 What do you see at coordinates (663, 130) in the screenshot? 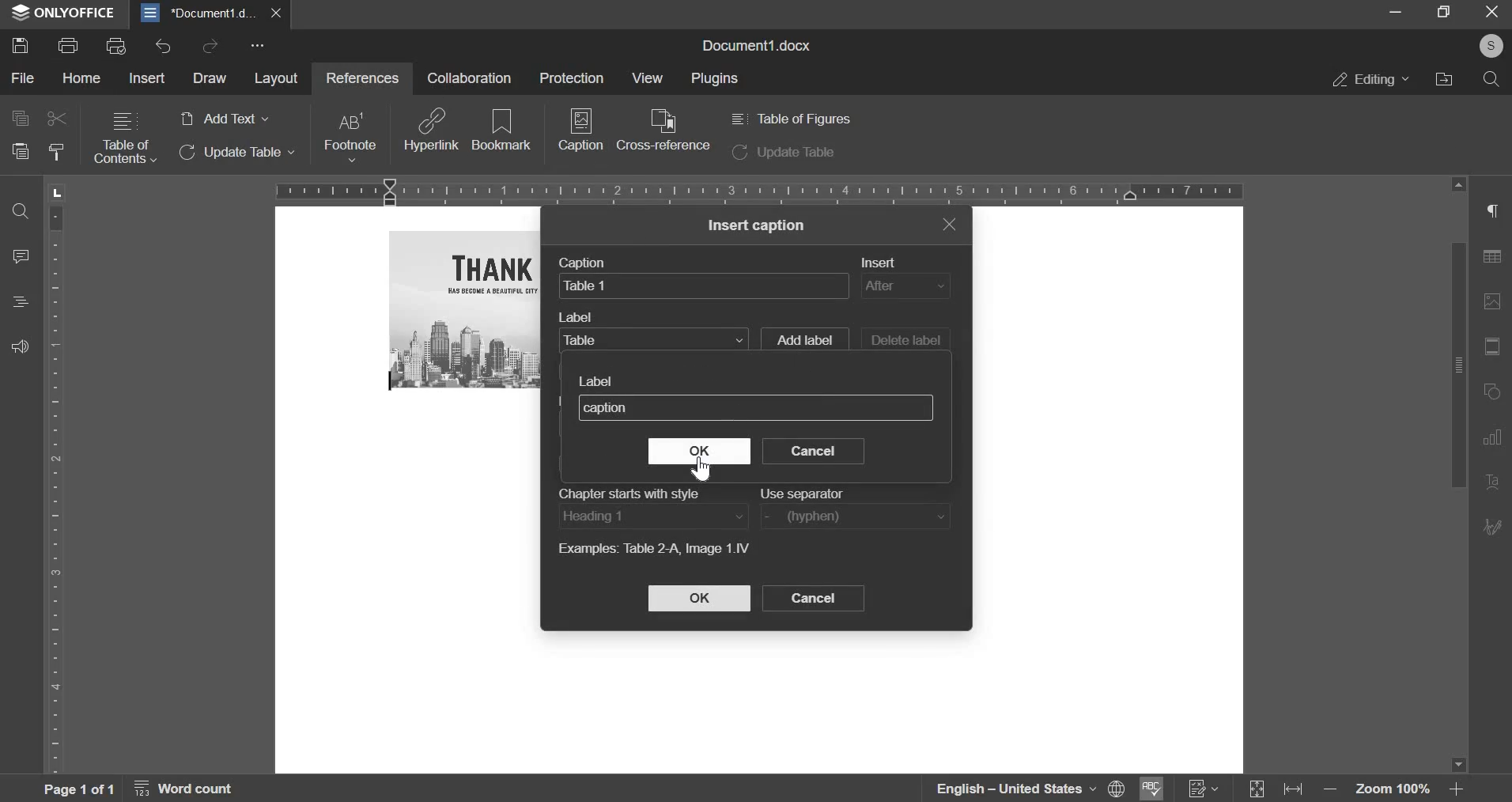
I see `cross reference` at bounding box center [663, 130].